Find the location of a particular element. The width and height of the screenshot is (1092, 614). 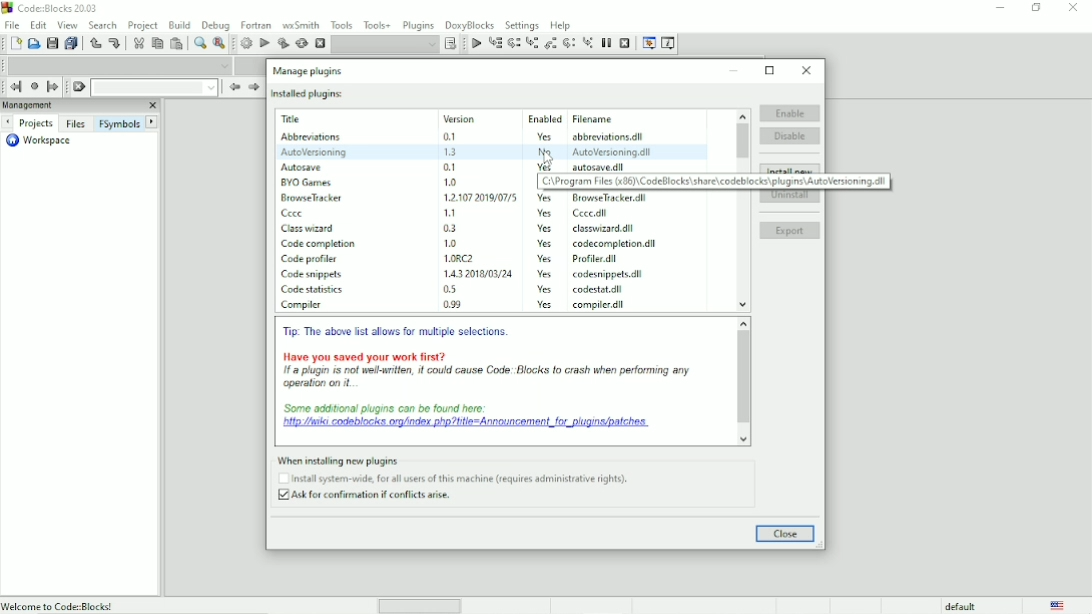

Copy is located at coordinates (157, 43).